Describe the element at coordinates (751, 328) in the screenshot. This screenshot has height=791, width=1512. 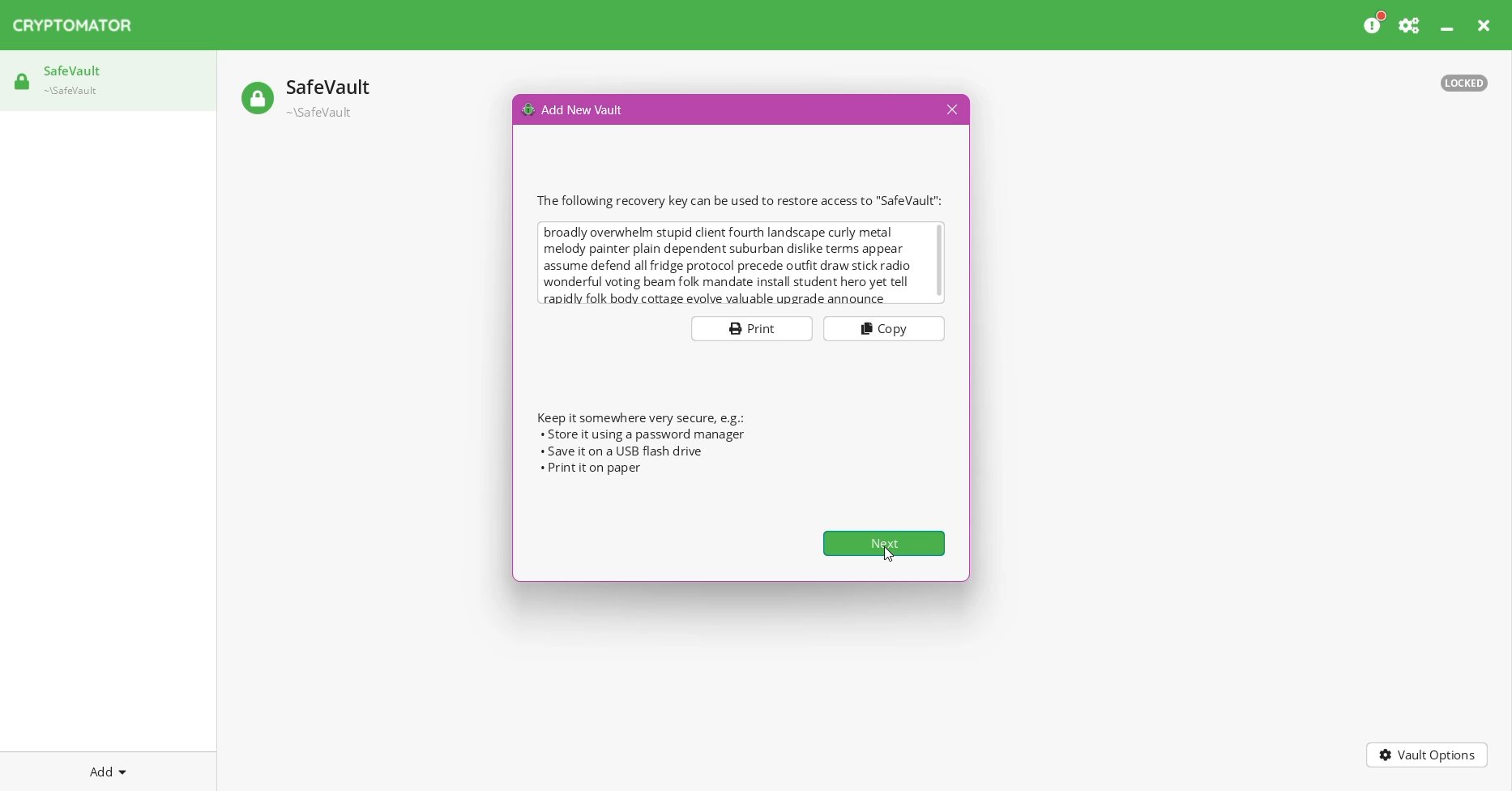
I see `Print` at that location.